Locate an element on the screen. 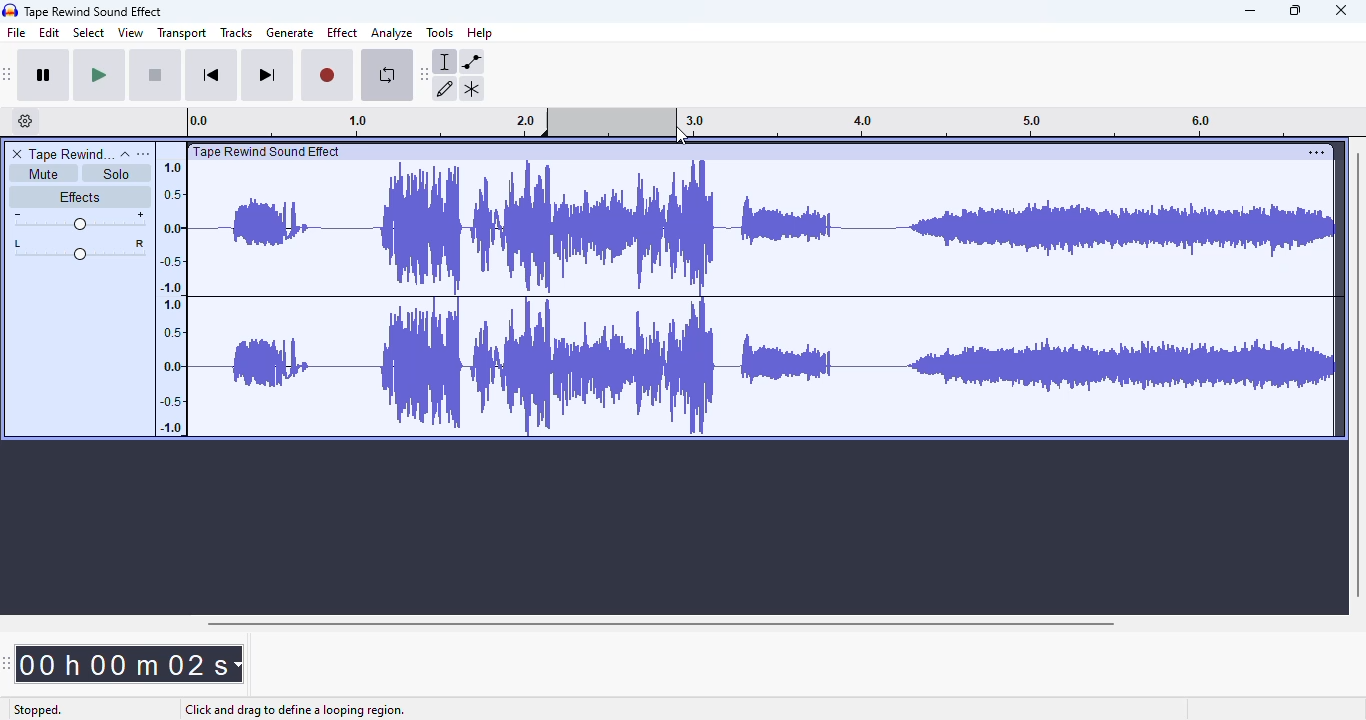  edit is located at coordinates (50, 33).